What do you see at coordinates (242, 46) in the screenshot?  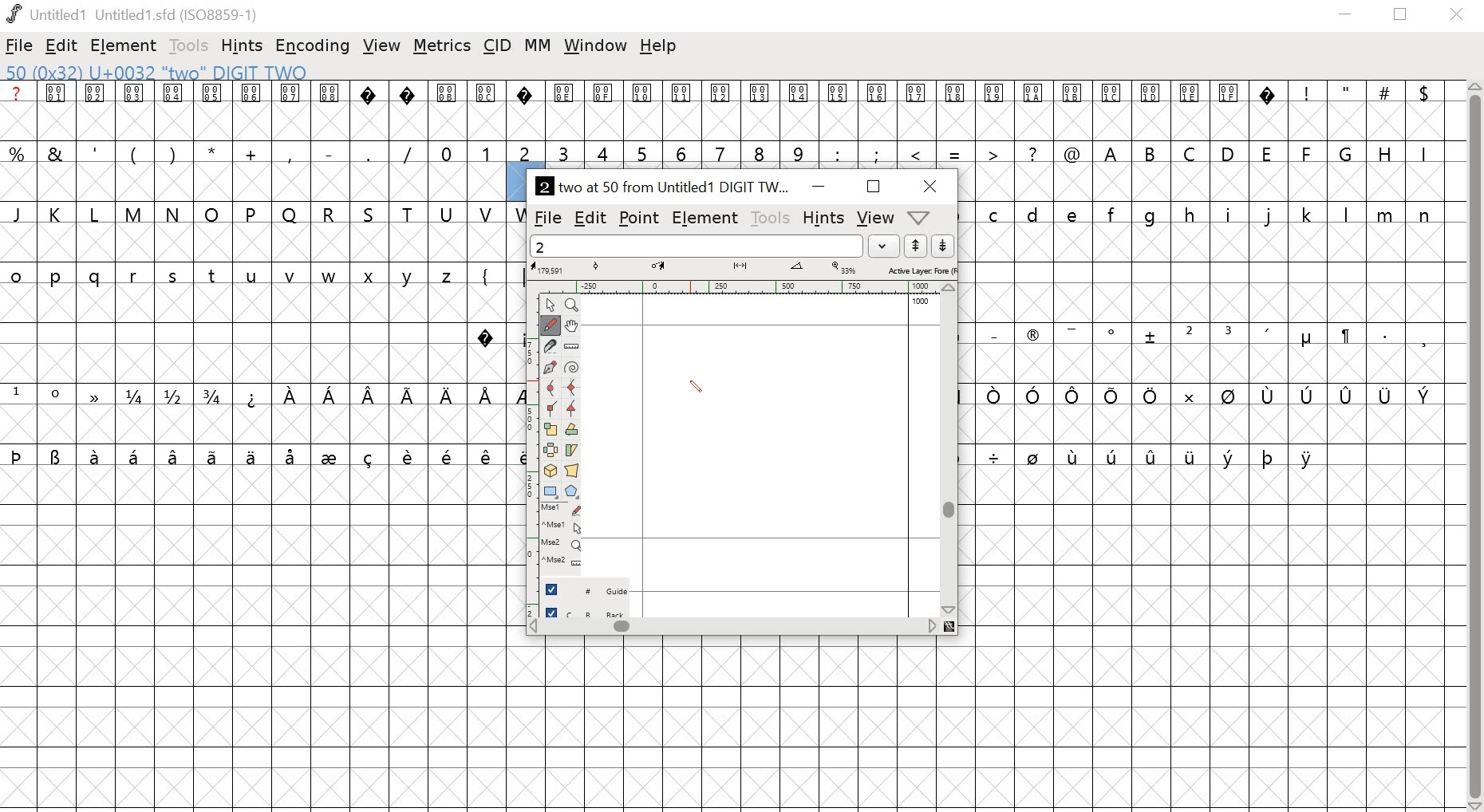 I see `hints` at bounding box center [242, 46].